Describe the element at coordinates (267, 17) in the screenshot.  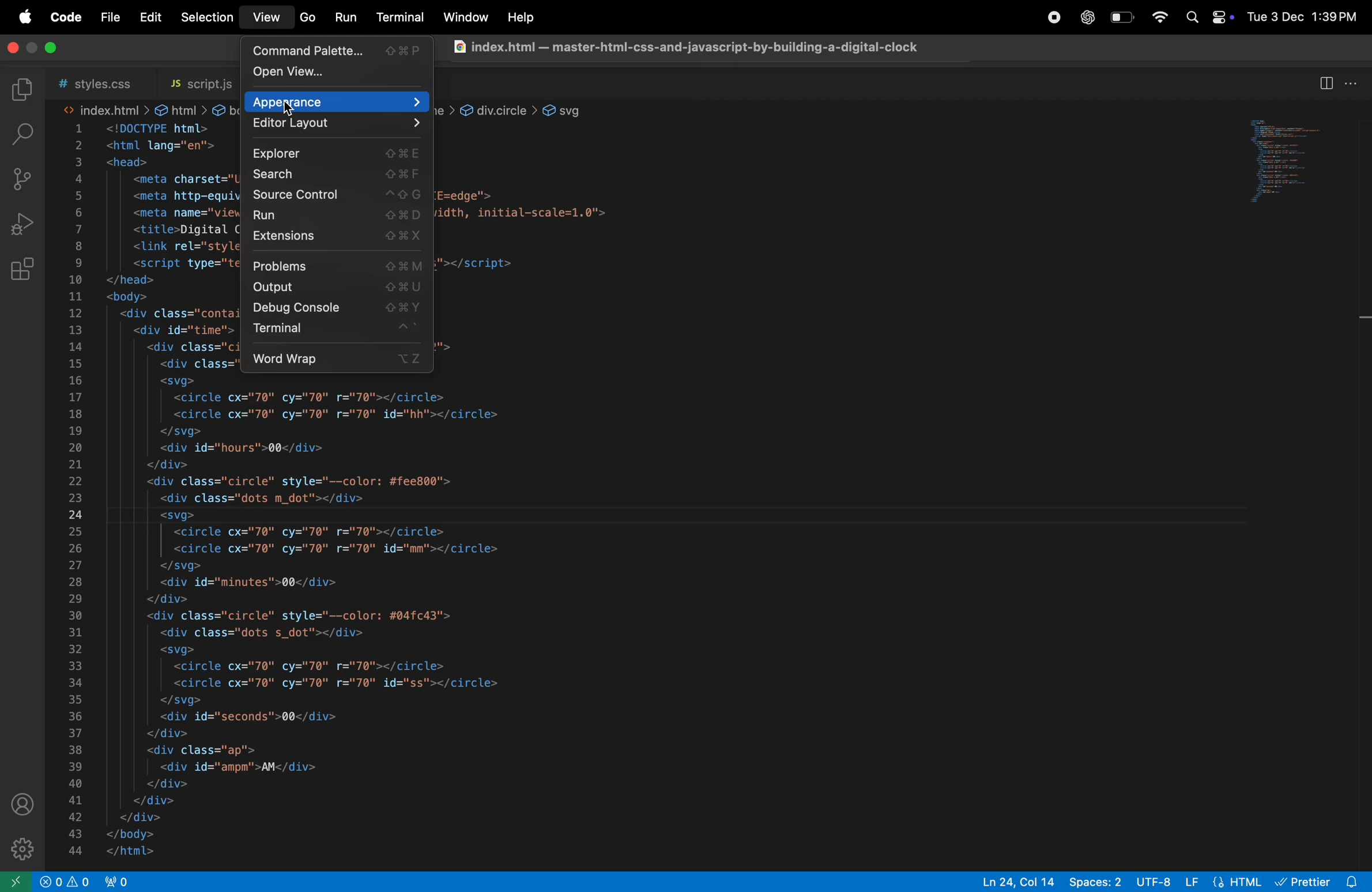
I see `view` at that location.